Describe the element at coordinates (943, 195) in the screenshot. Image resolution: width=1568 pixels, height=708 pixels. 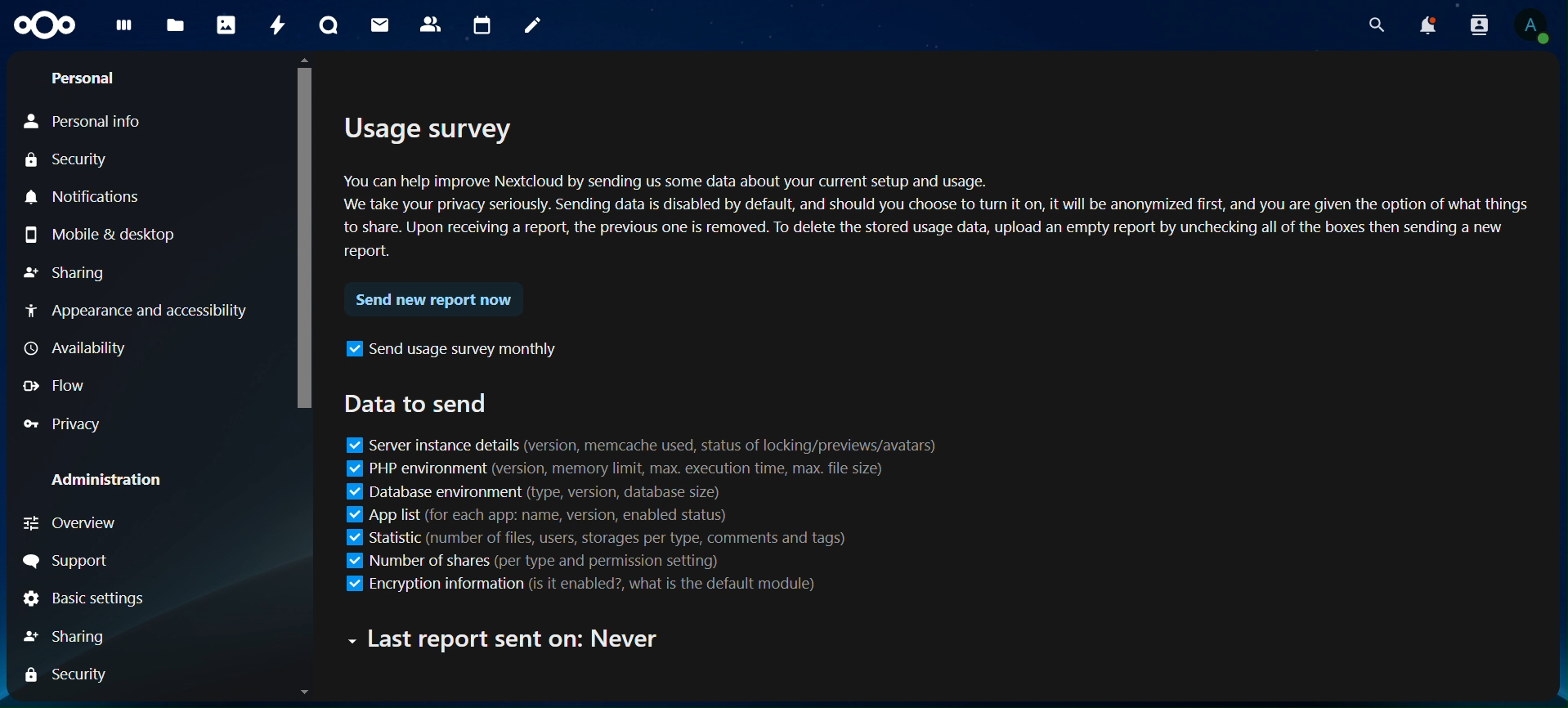
I see `usage survey` at that location.